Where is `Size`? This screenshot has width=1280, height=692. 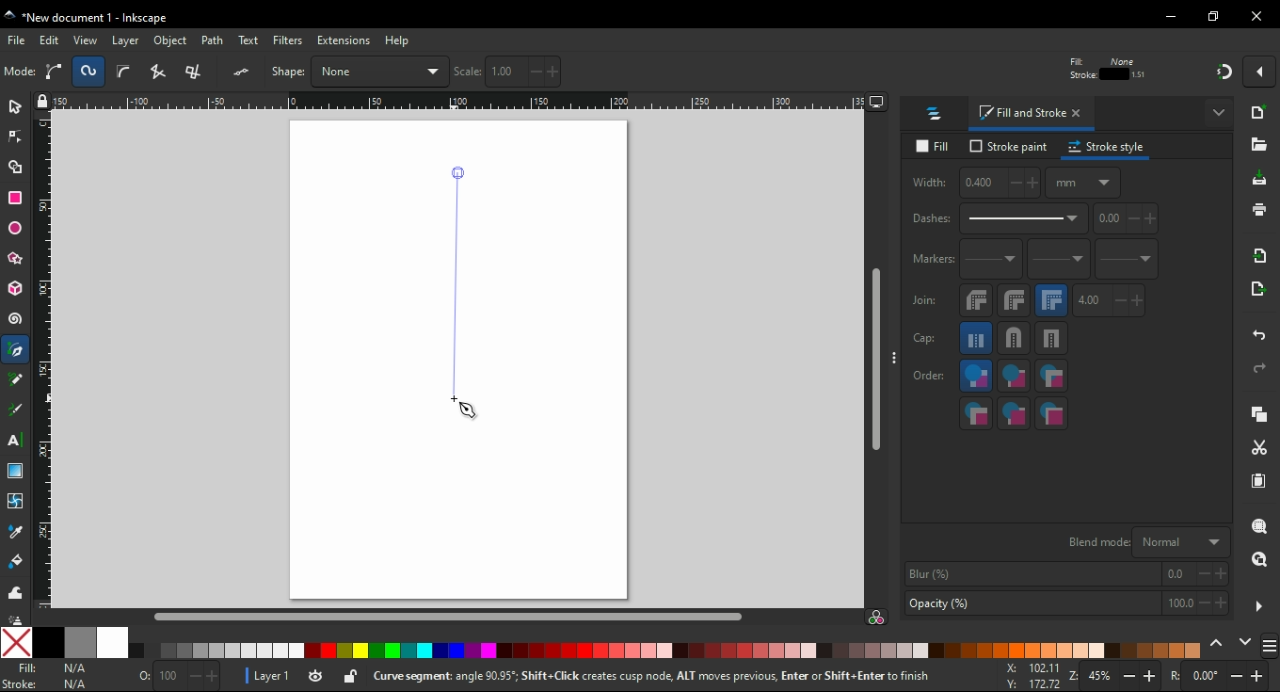
Size is located at coordinates (173, 677).